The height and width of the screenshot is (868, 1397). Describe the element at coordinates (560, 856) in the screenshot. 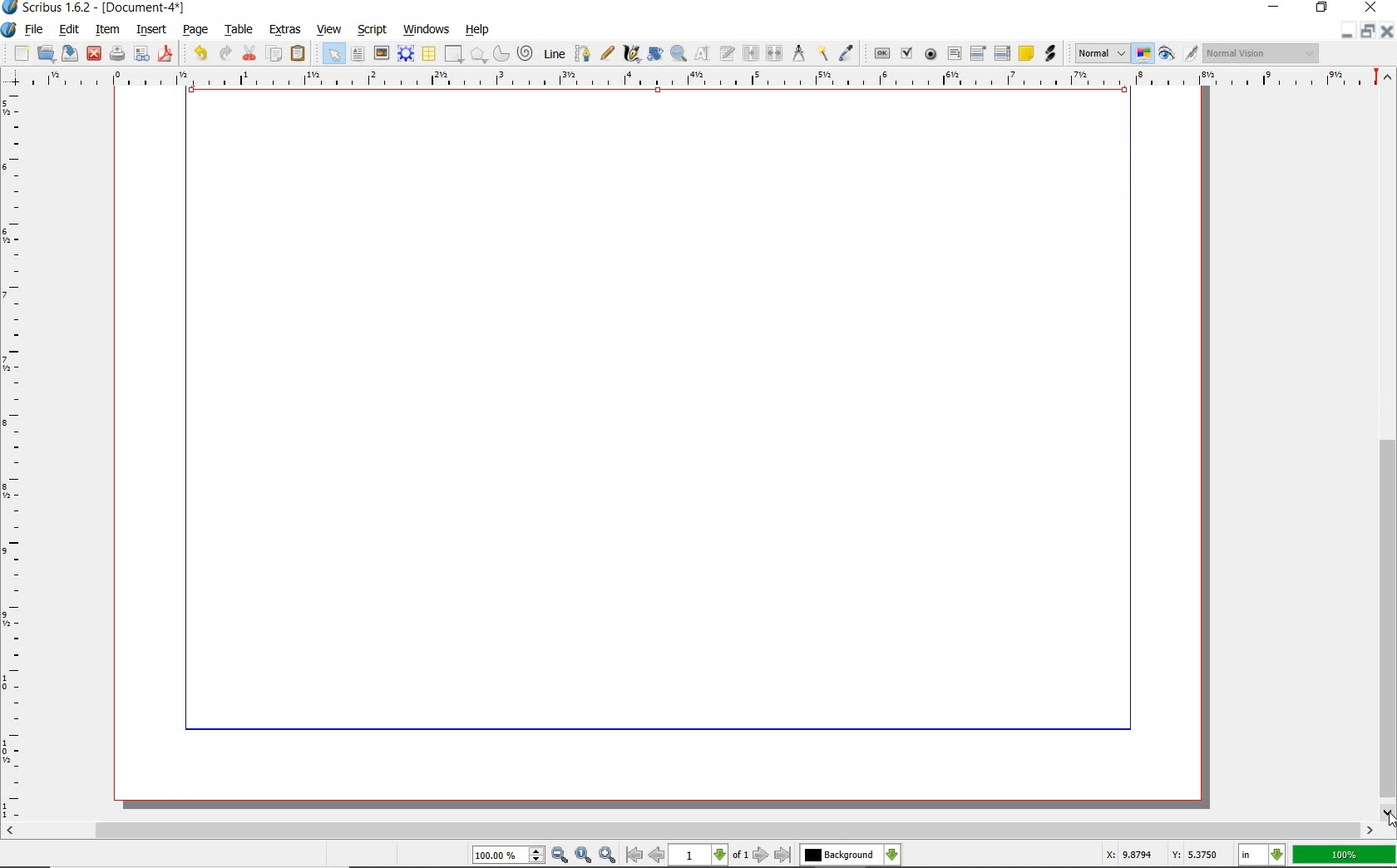

I see `zoom out` at that location.